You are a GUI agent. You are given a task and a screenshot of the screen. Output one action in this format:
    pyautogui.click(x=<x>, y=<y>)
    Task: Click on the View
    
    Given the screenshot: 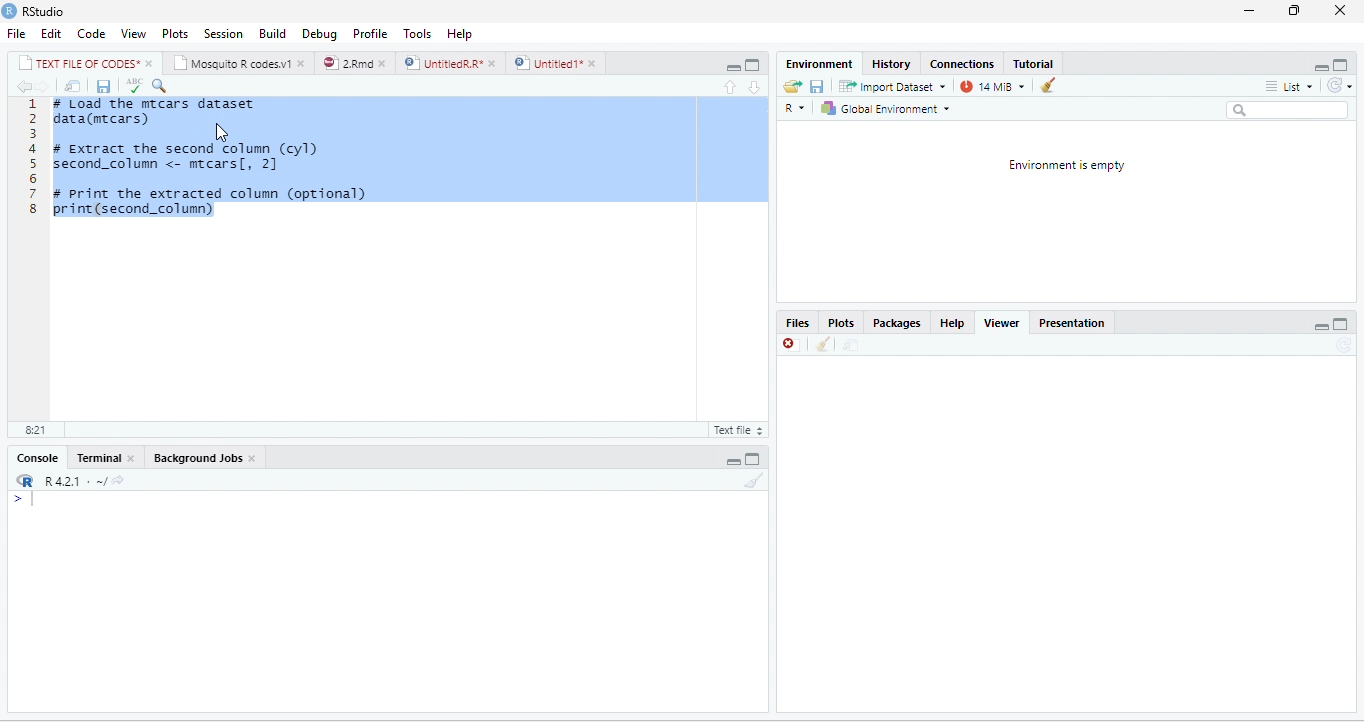 What is the action you would take?
    pyautogui.click(x=134, y=32)
    